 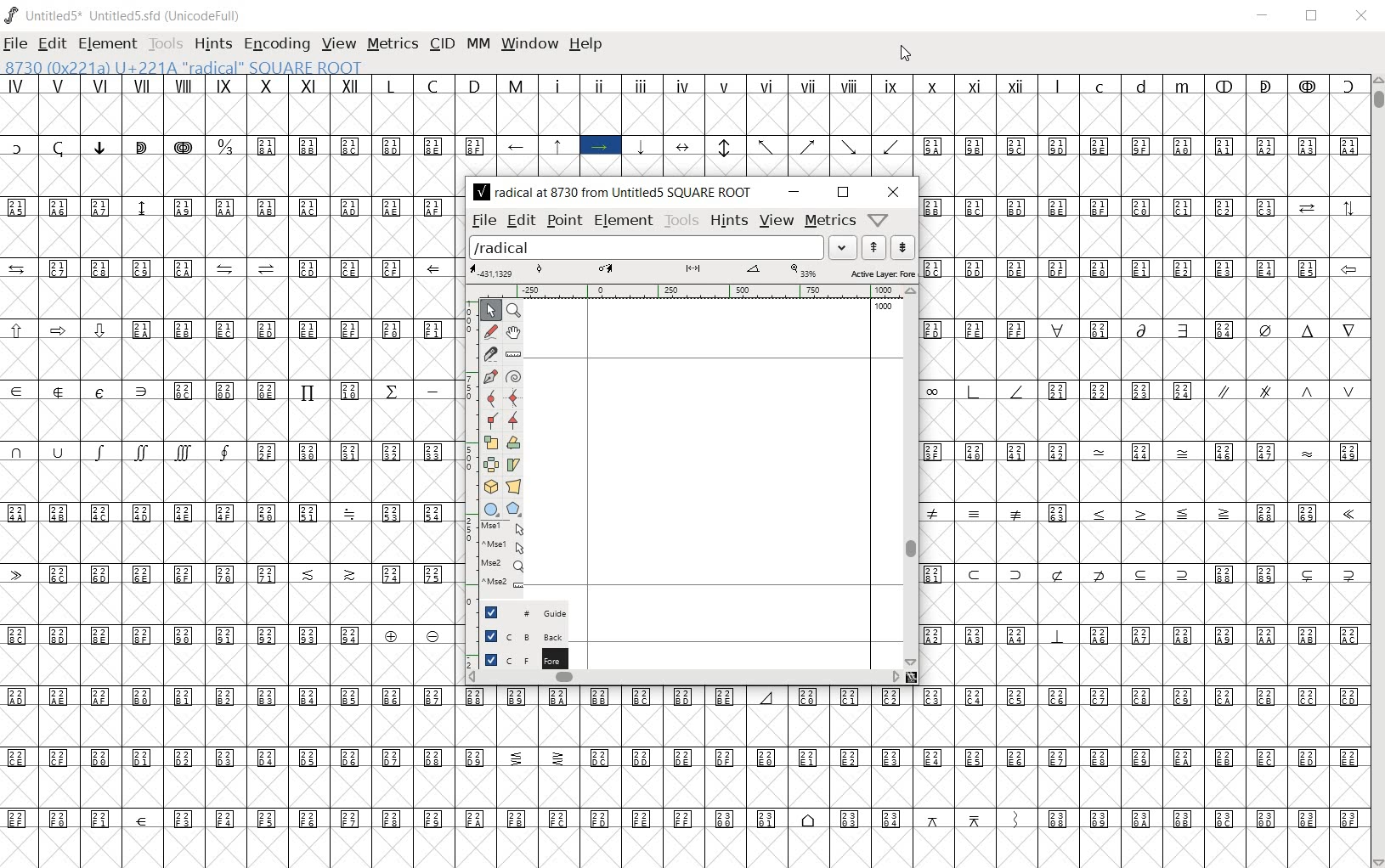 What do you see at coordinates (477, 45) in the screenshot?
I see `MM` at bounding box center [477, 45].